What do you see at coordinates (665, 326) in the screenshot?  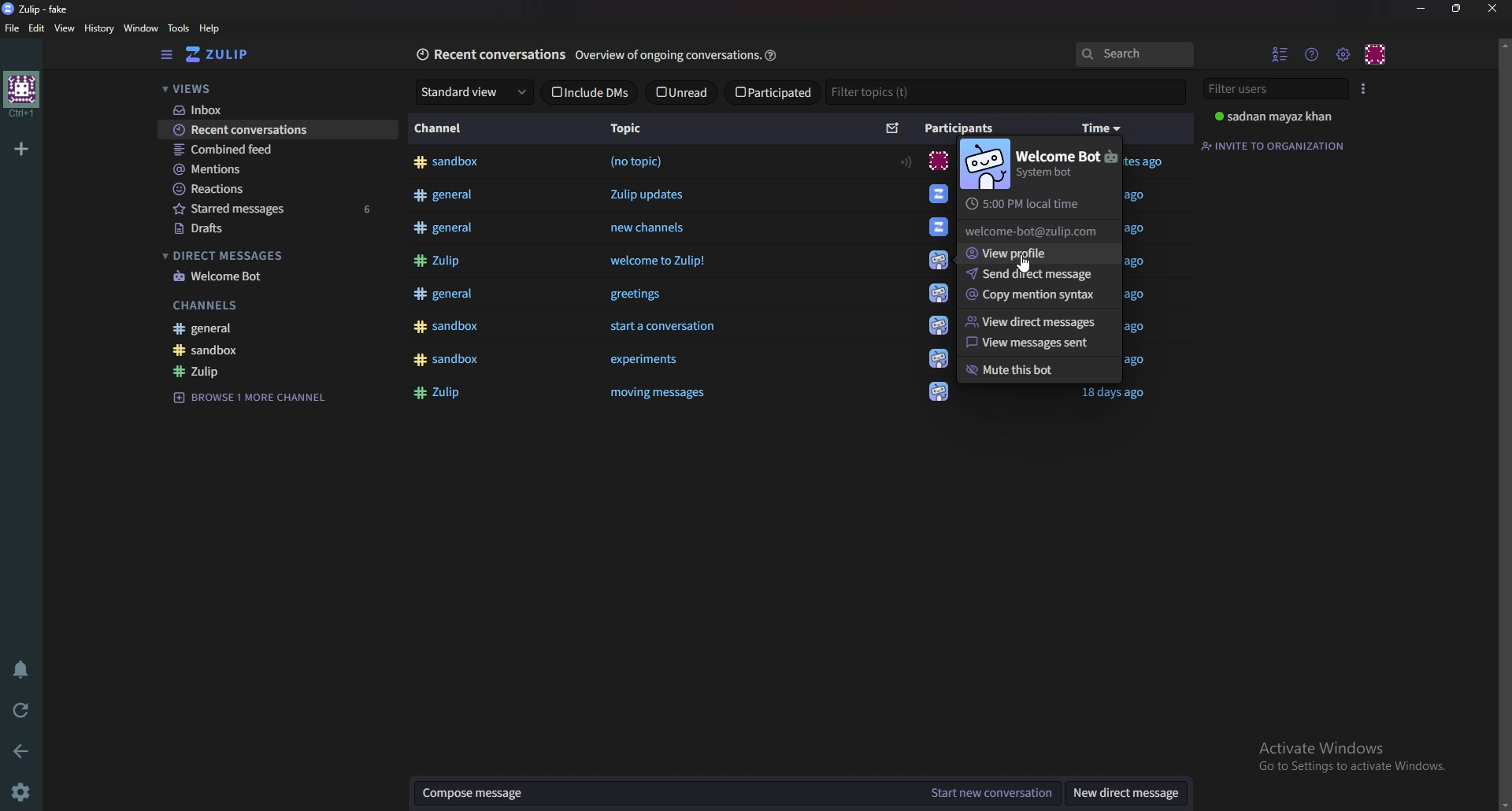 I see `start a conversation` at bounding box center [665, 326].